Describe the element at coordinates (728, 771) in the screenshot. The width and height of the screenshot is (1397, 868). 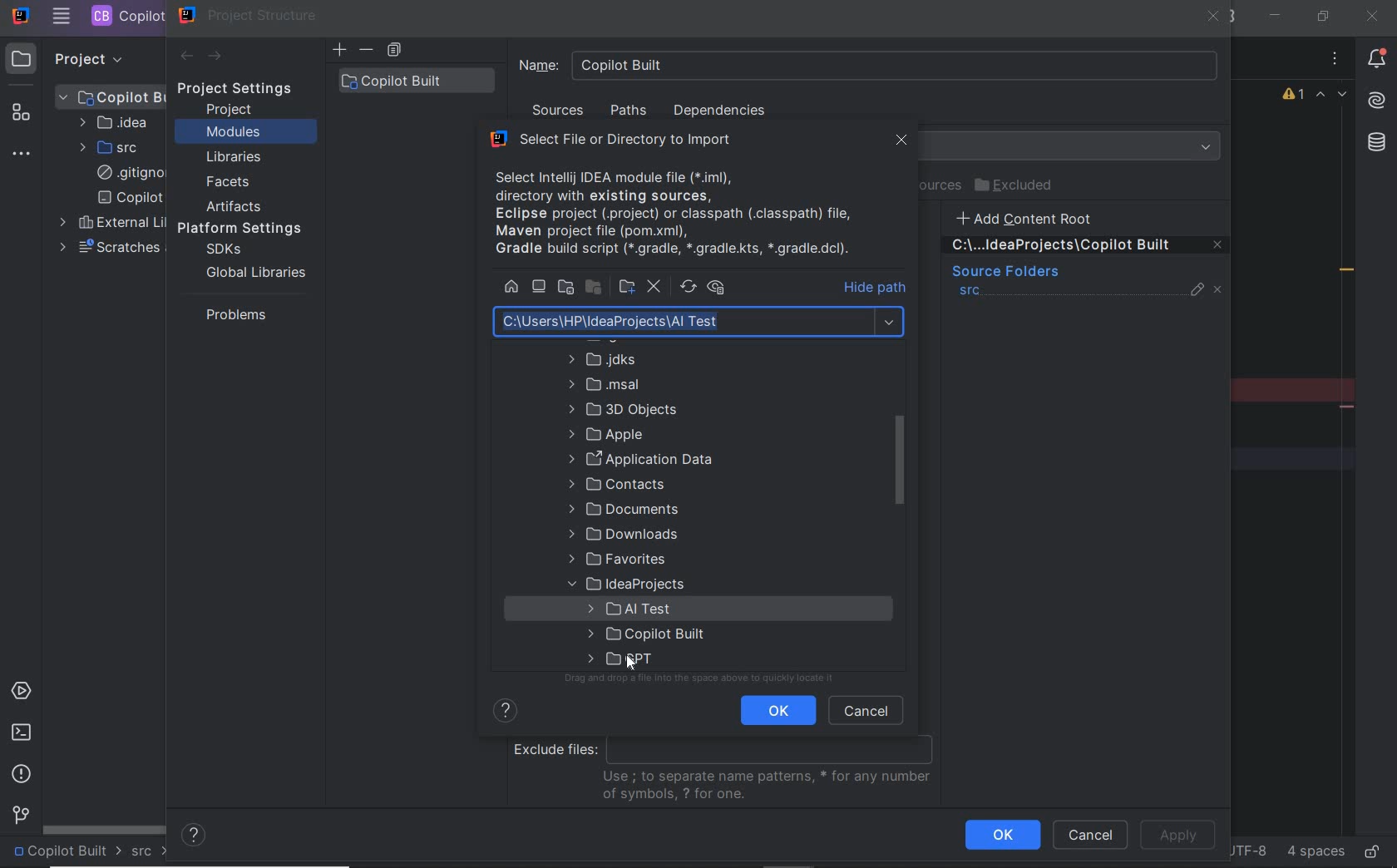
I see `exclude files` at that location.